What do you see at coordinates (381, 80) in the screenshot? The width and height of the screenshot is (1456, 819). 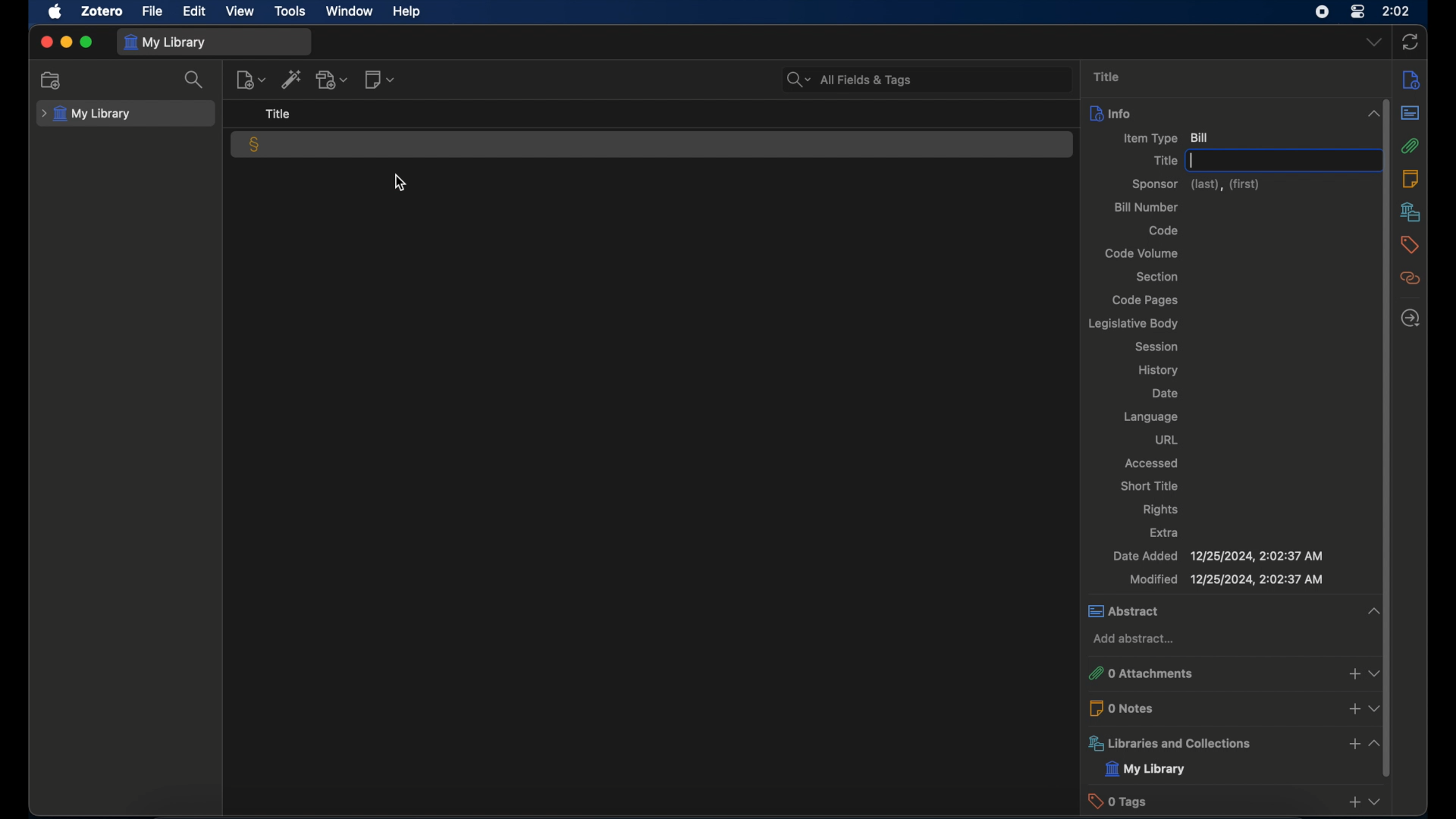 I see `new notes` at bounding box center [381, 80].